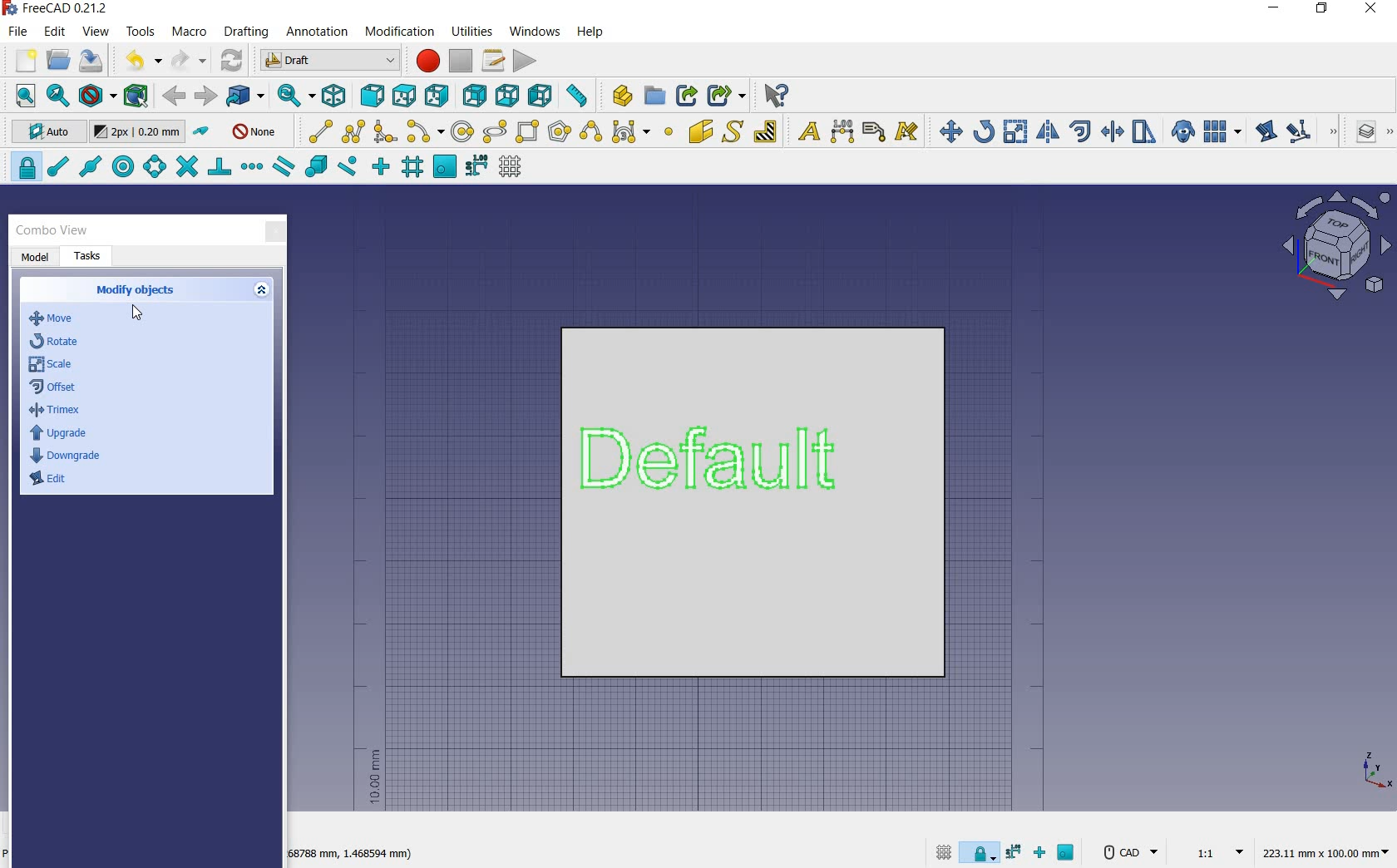  I want to click on bottom, so click(509, 96).